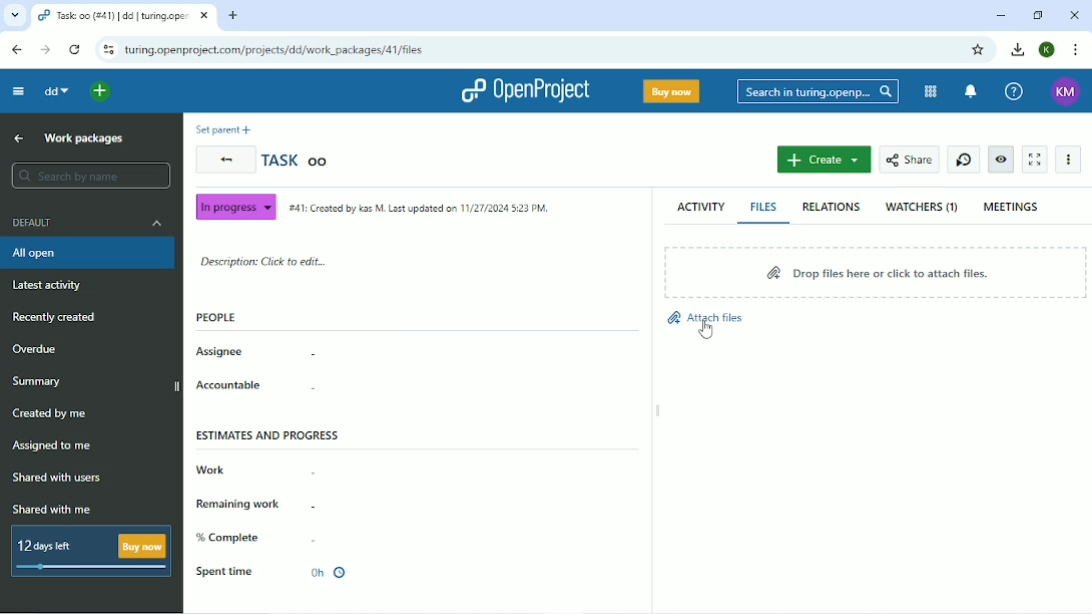 Image resolution: width=1092 pixels, height=614 pixels. What do you see at coordinates (909, 159) in the screenshot?
I see `Share` at bounding box center [909, 159].